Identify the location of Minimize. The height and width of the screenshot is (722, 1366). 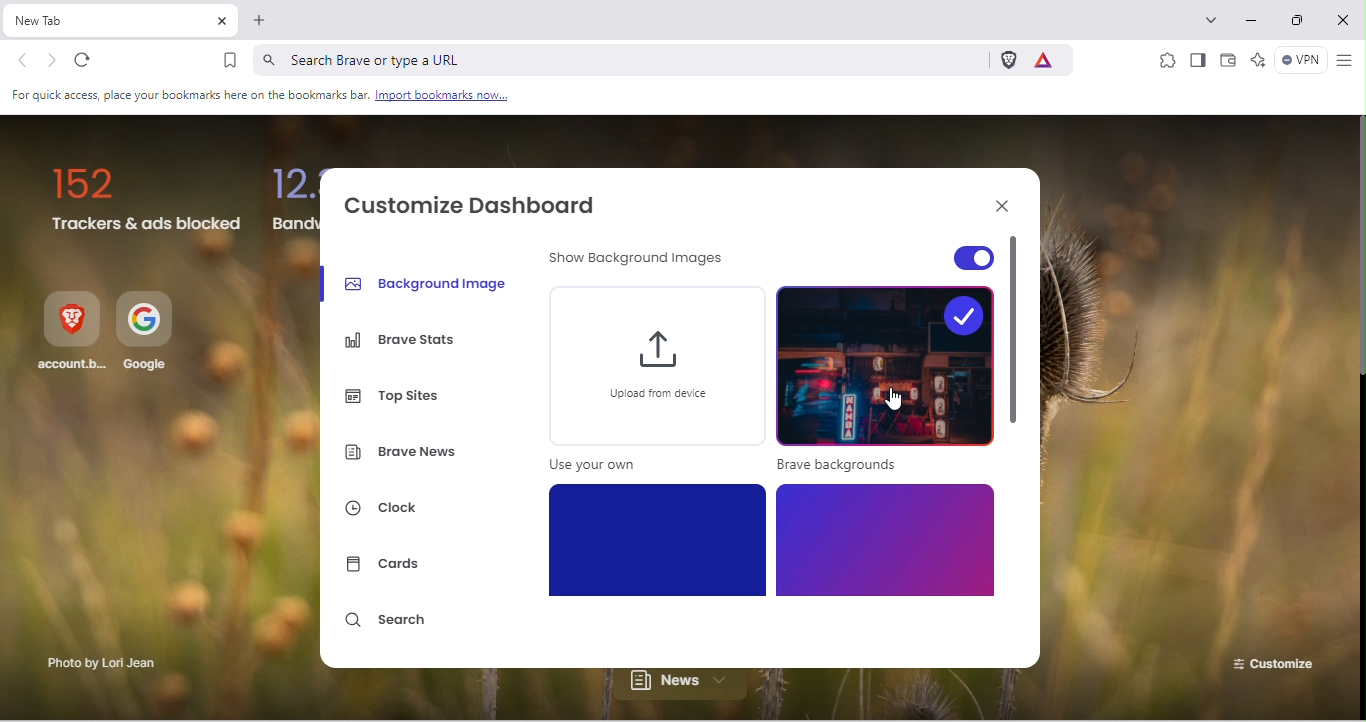
(1255, 21).